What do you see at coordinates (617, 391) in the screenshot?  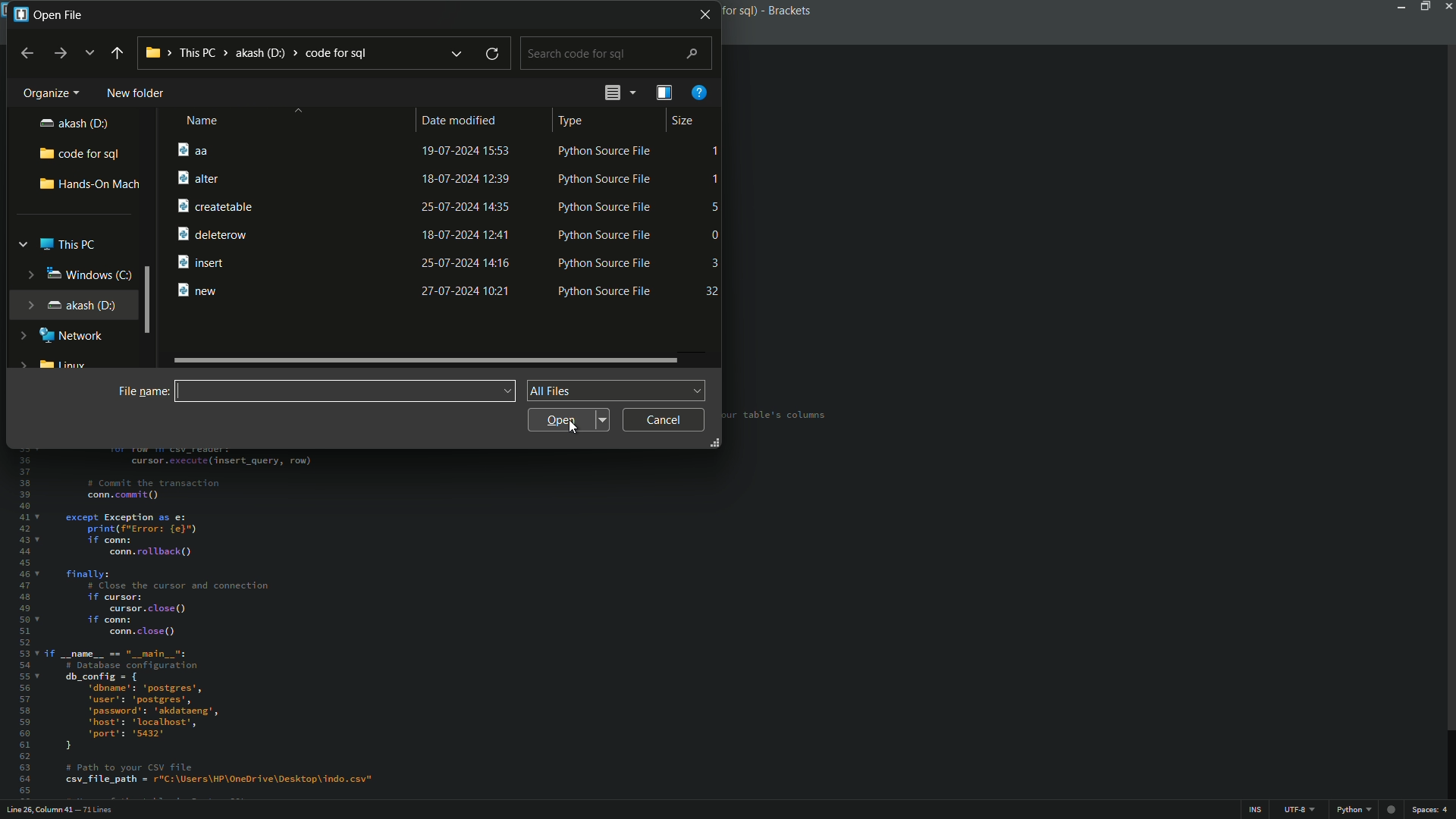 I see `file format` at bounding box center [617, 391].